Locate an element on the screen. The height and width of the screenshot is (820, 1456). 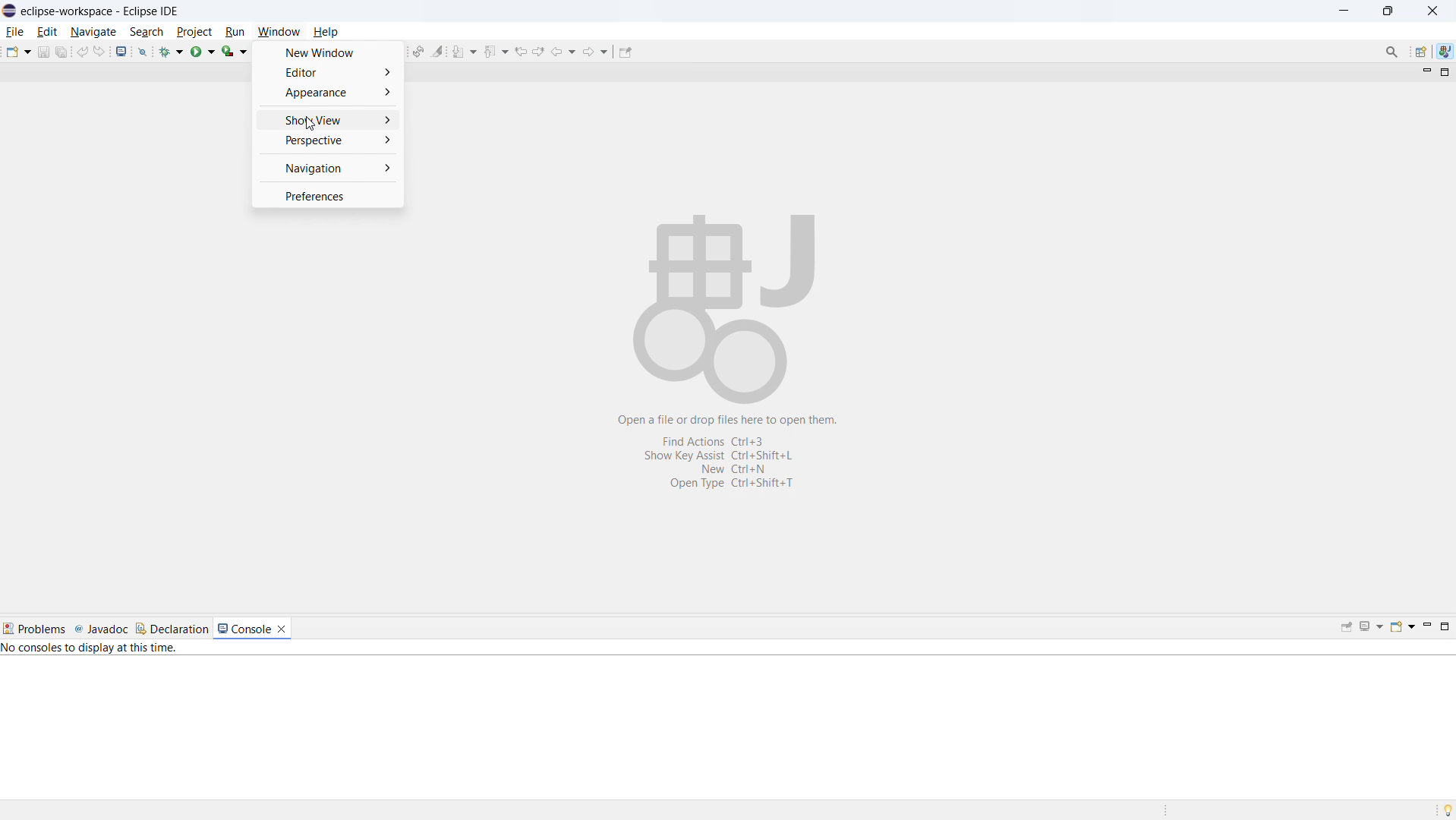
editor is located at coordinates (328, 71).